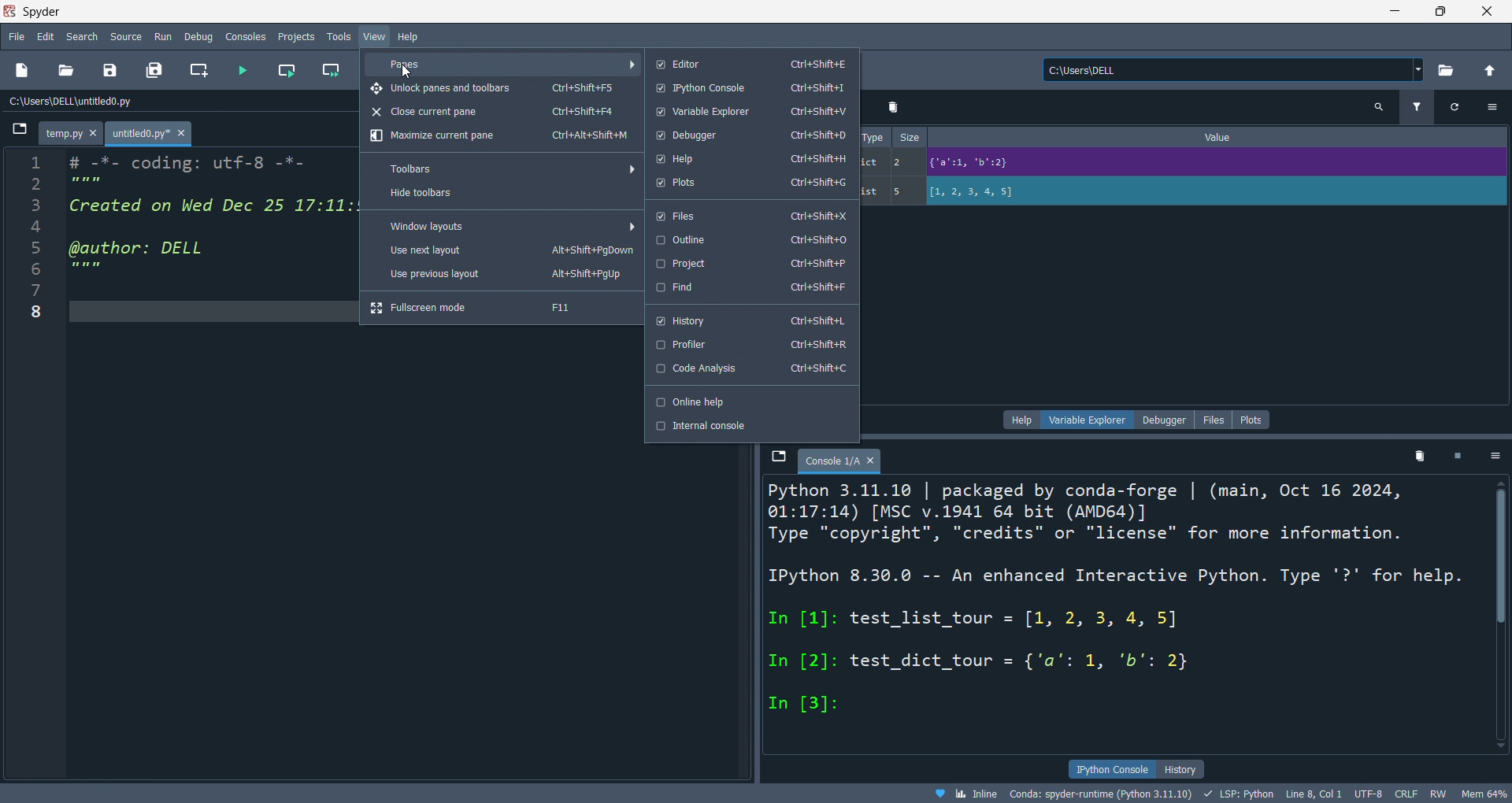  I want to click on outline, so click(750, 240).